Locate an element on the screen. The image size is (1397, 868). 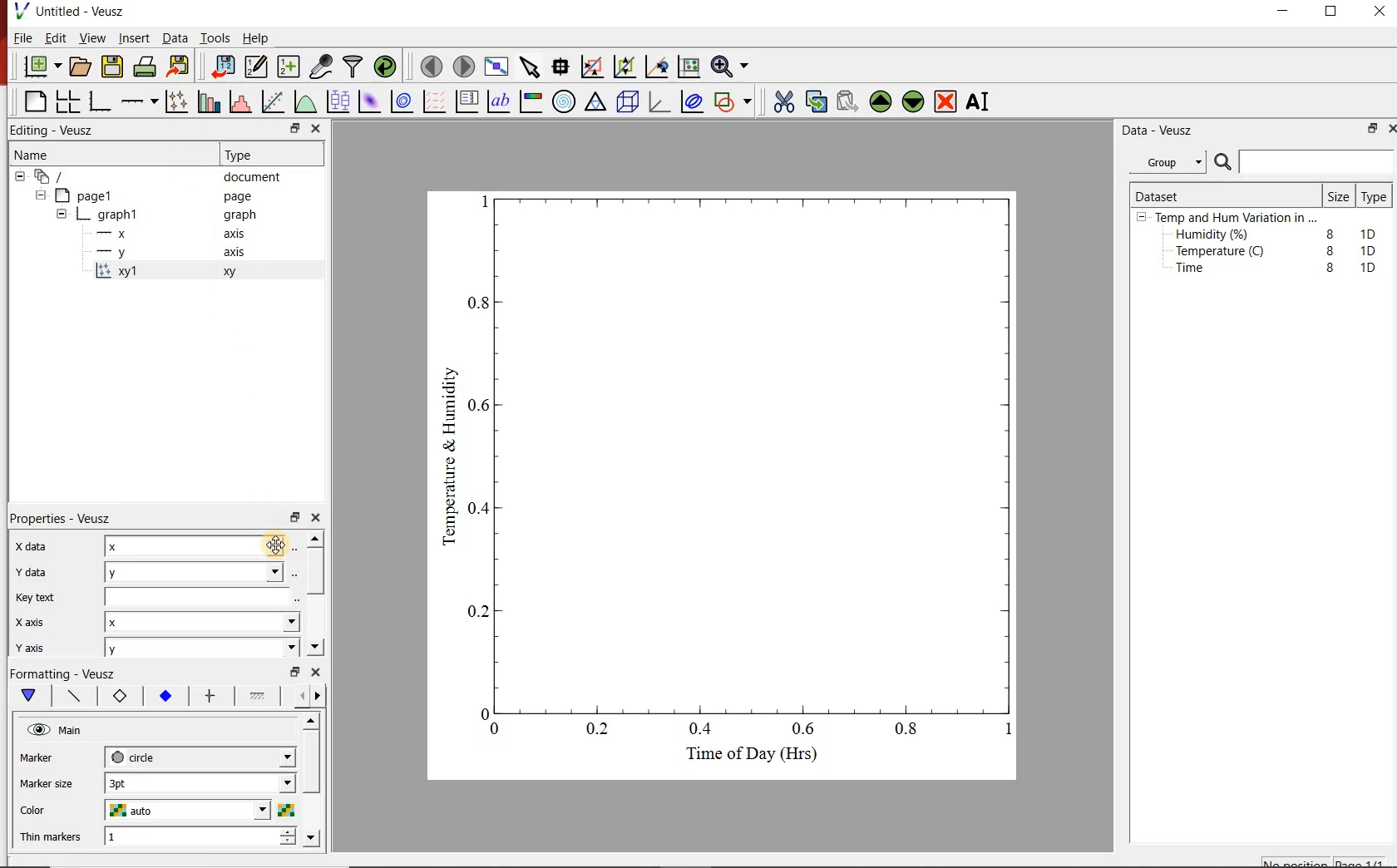
hide sub menu is located at coordinates (43, 197).